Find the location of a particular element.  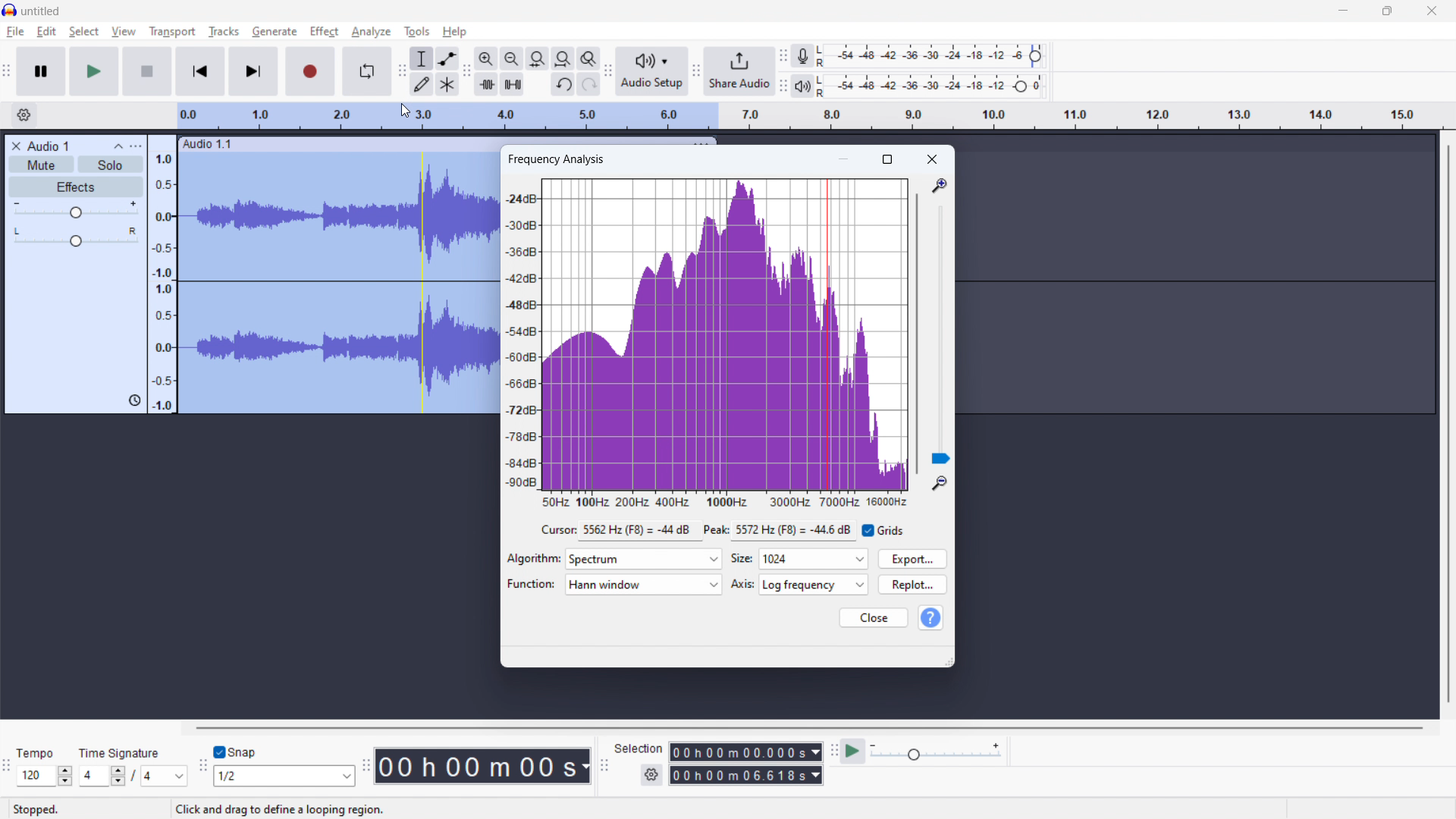

time signature toolbar is located at coordinates (8, 769).